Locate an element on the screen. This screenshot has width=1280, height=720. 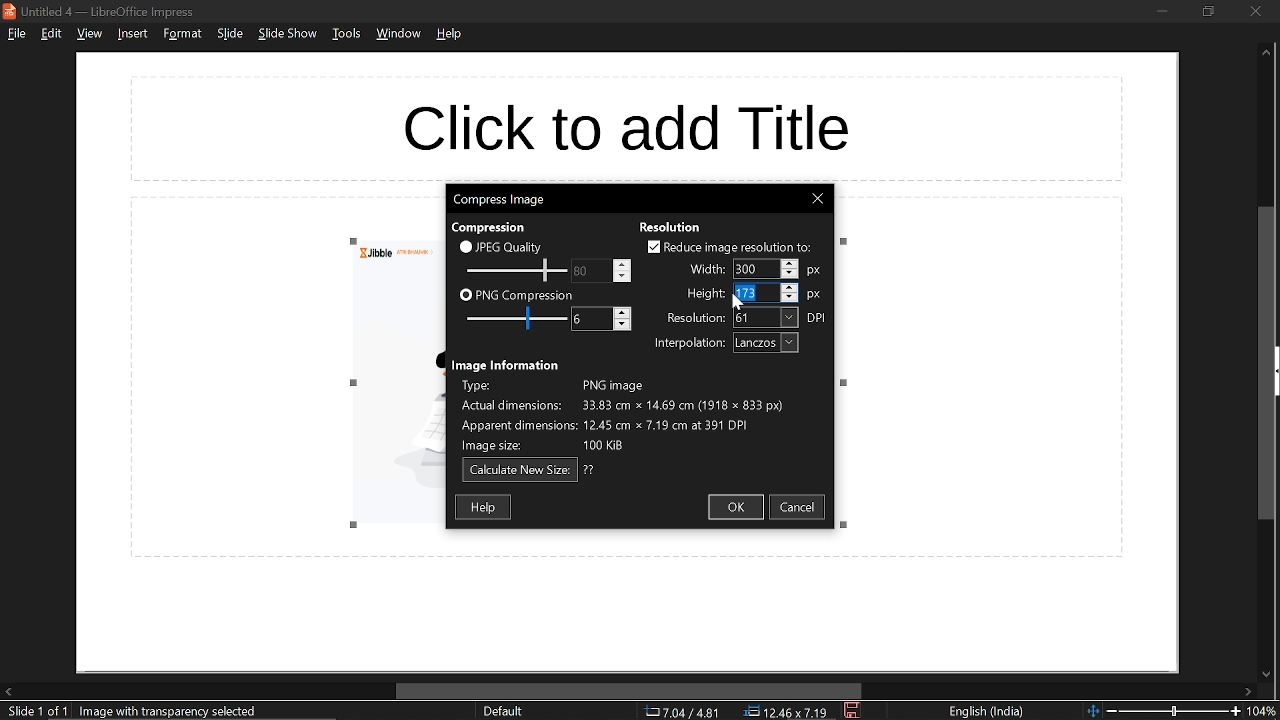
checkbox is located at coordinates (465, 246).